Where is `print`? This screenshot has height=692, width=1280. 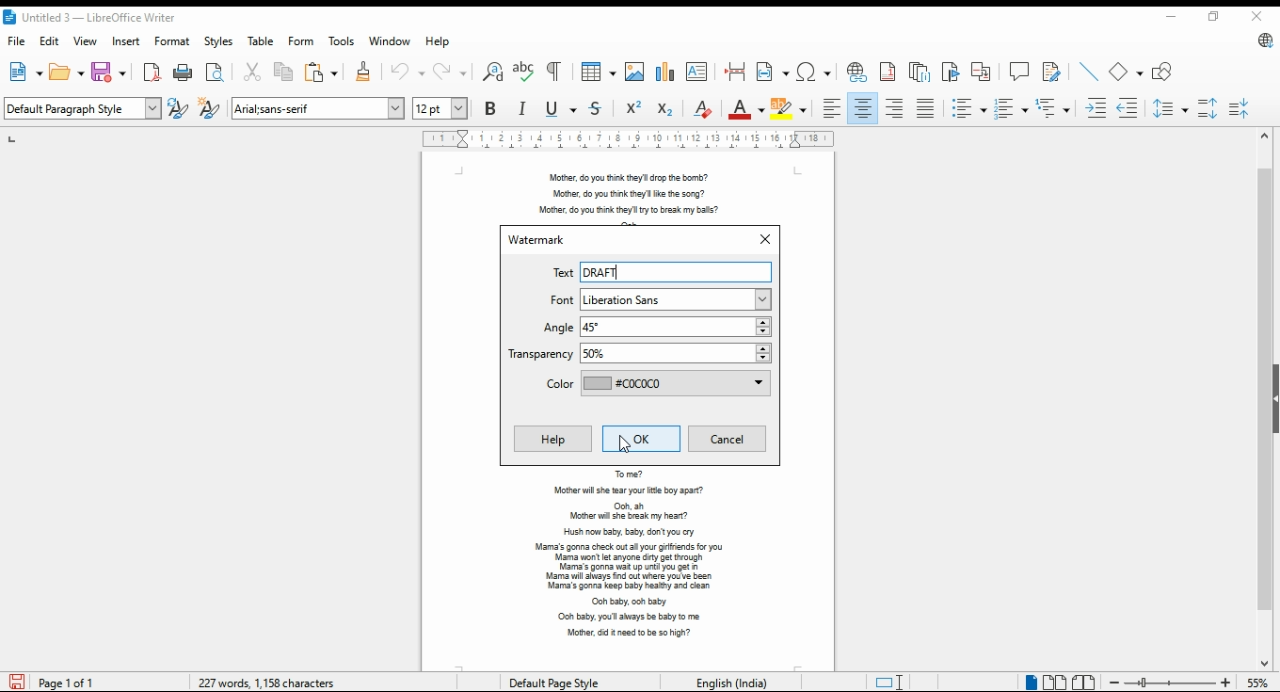 print is located at coordinates (185, 72).